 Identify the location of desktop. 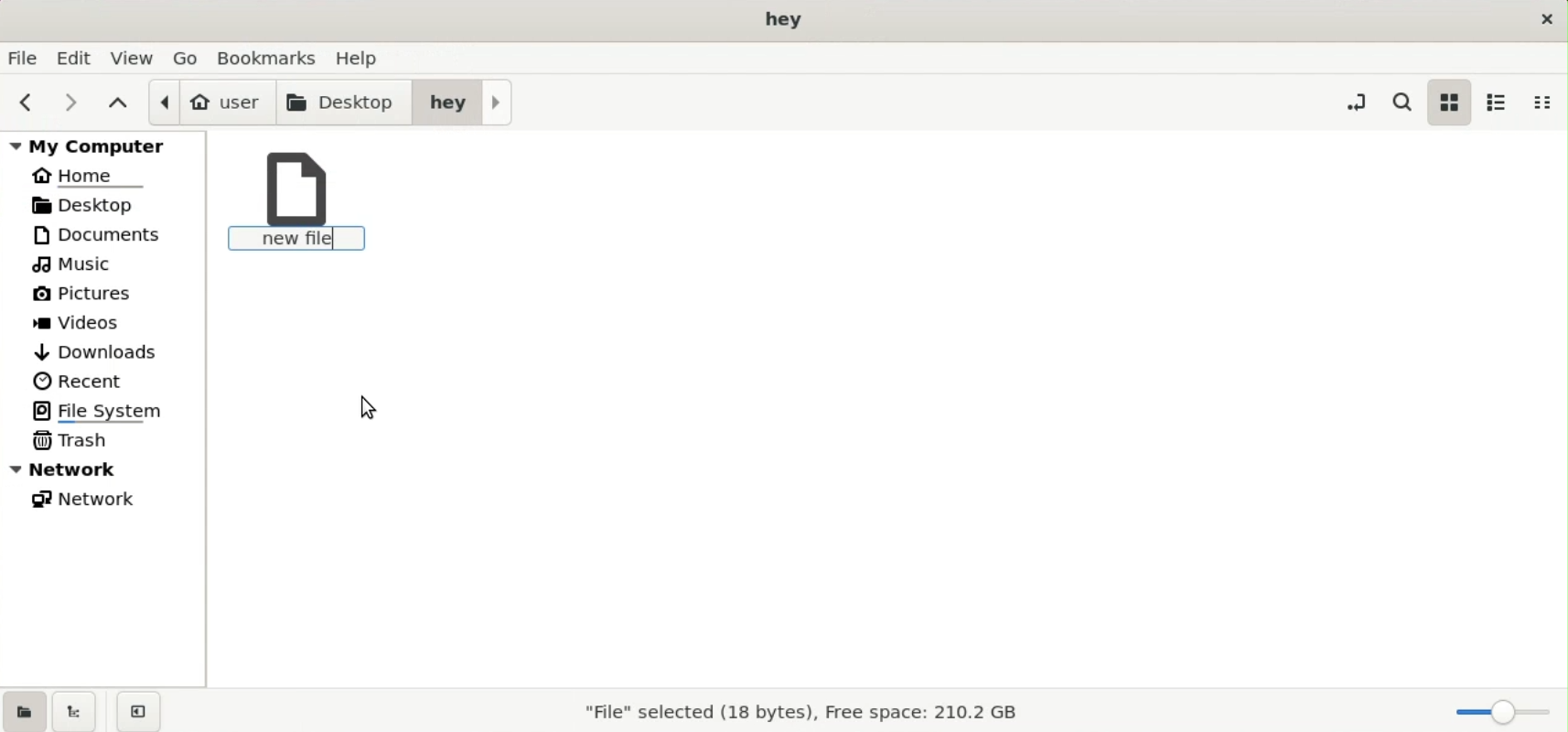
(98, 204).